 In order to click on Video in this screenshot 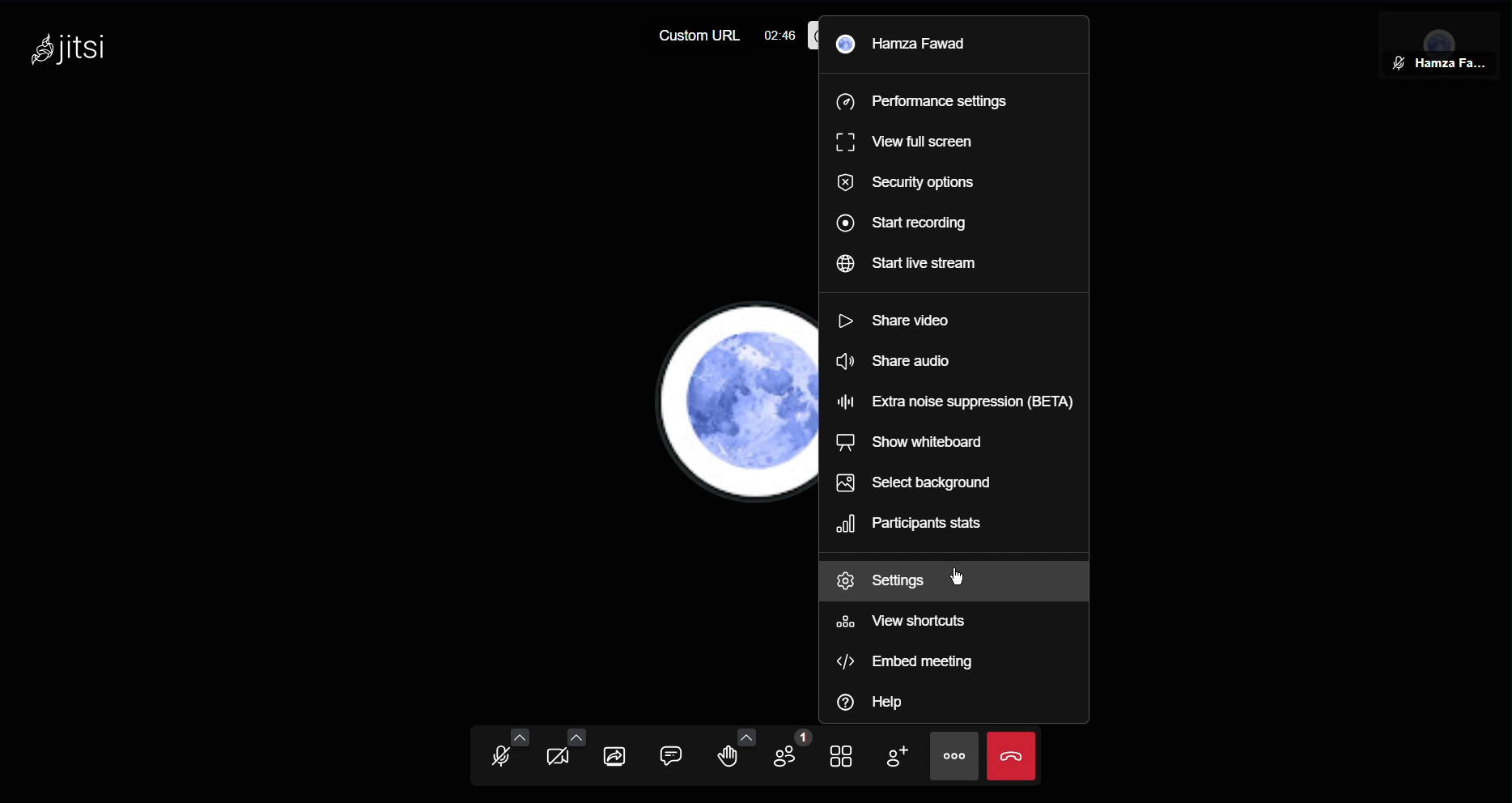, I will do `click(558, 757)`.